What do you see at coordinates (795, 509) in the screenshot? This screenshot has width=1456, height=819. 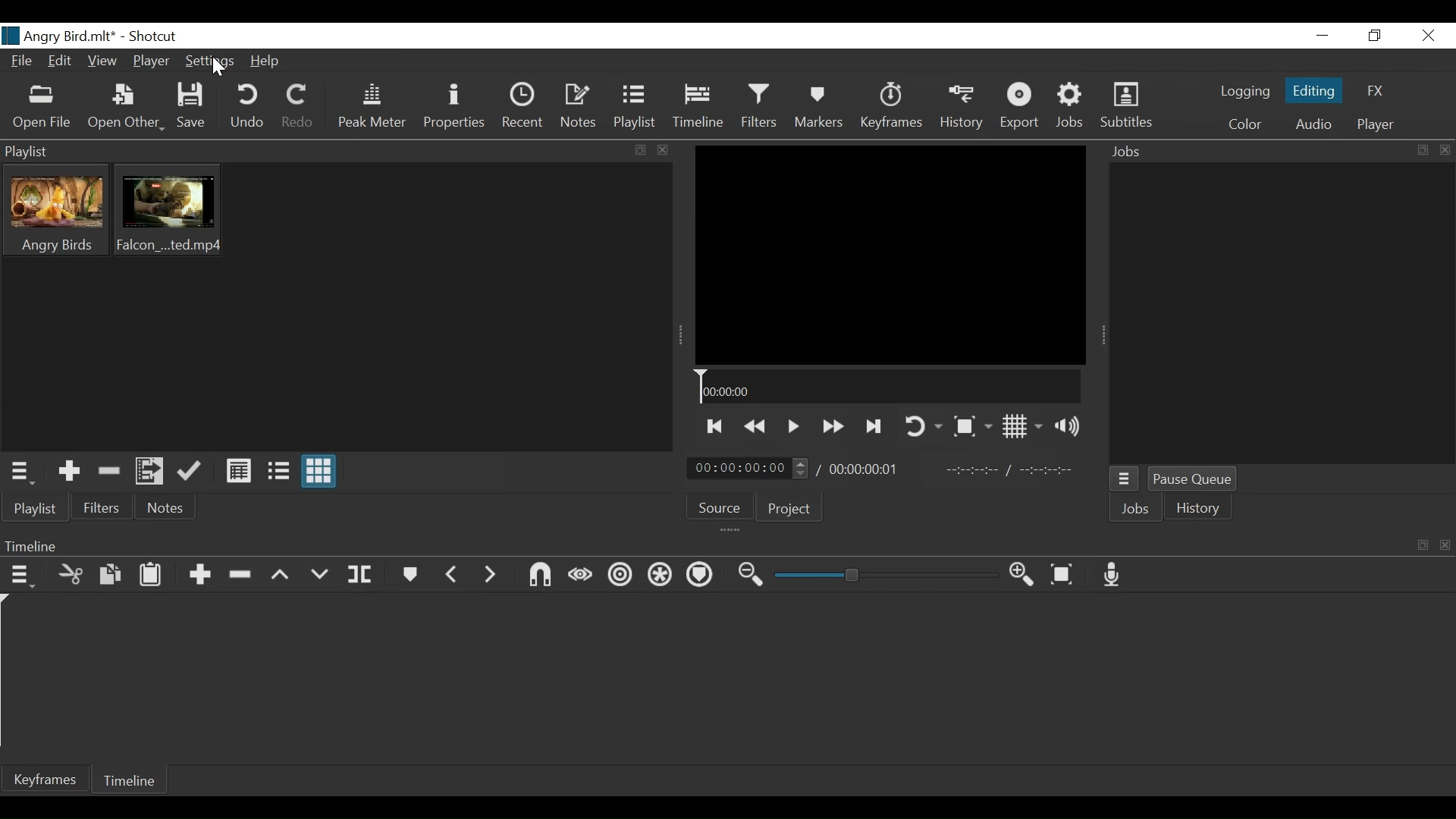 I see `Project` at bounding box center [795, 509].